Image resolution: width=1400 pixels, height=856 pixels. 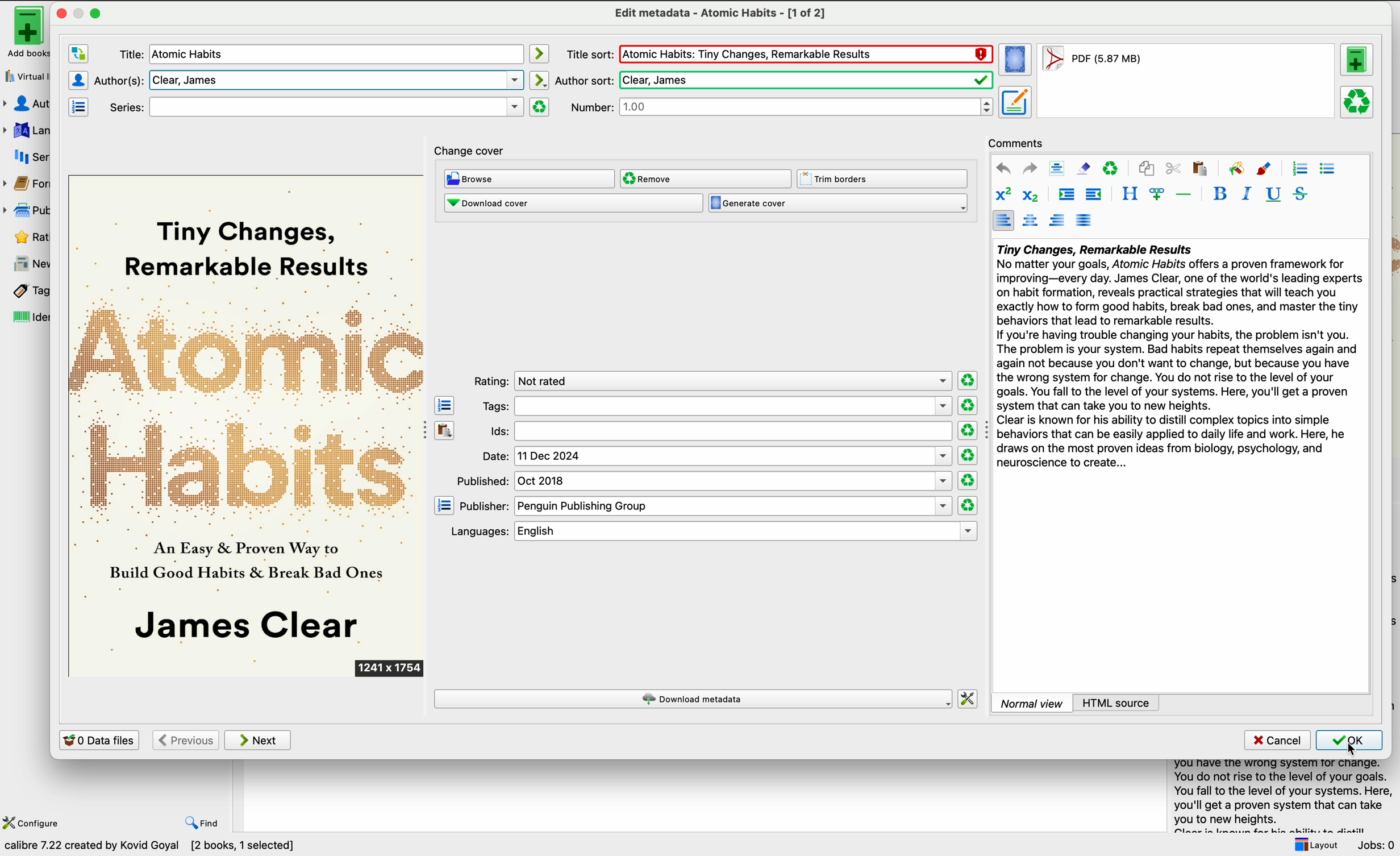 What do you see at coordinates (99, 739) in the screenshot?
I see `0 data files` at bounding box center [99, 739].